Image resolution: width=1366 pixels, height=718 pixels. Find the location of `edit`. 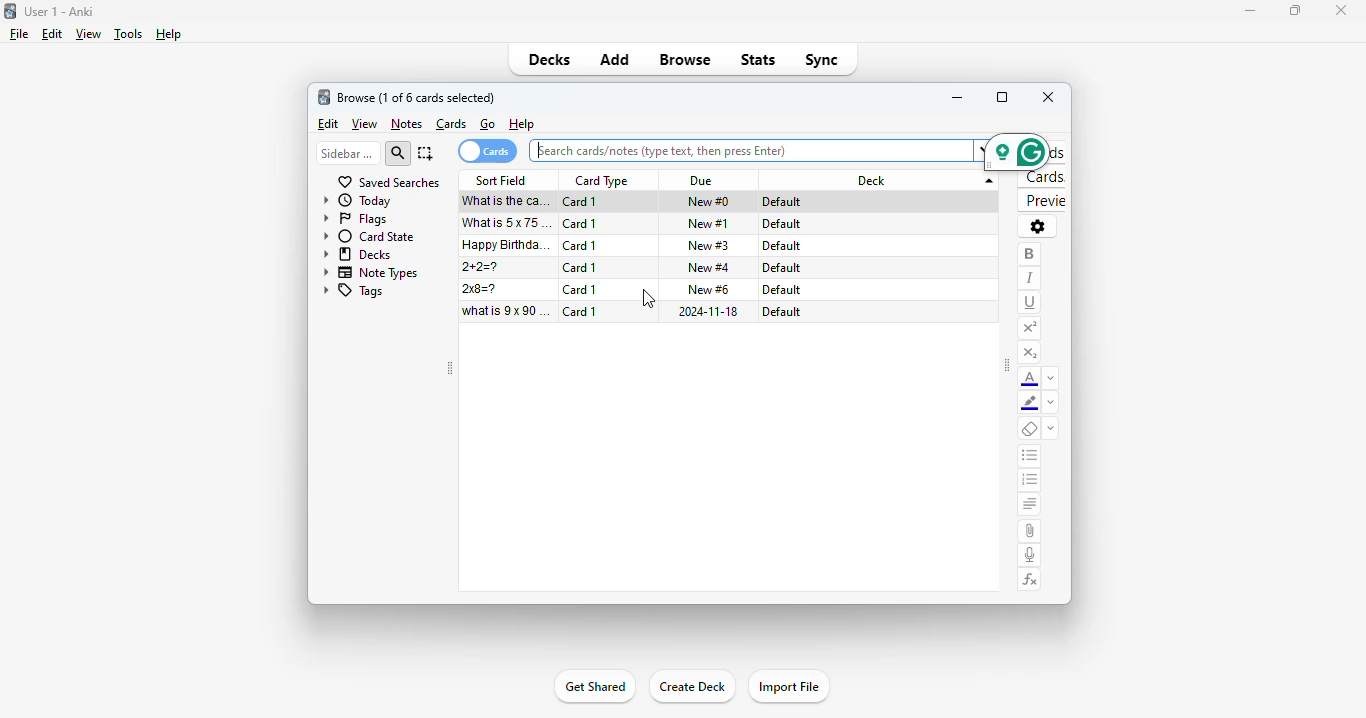

edit is located at coordinates (51, 34).